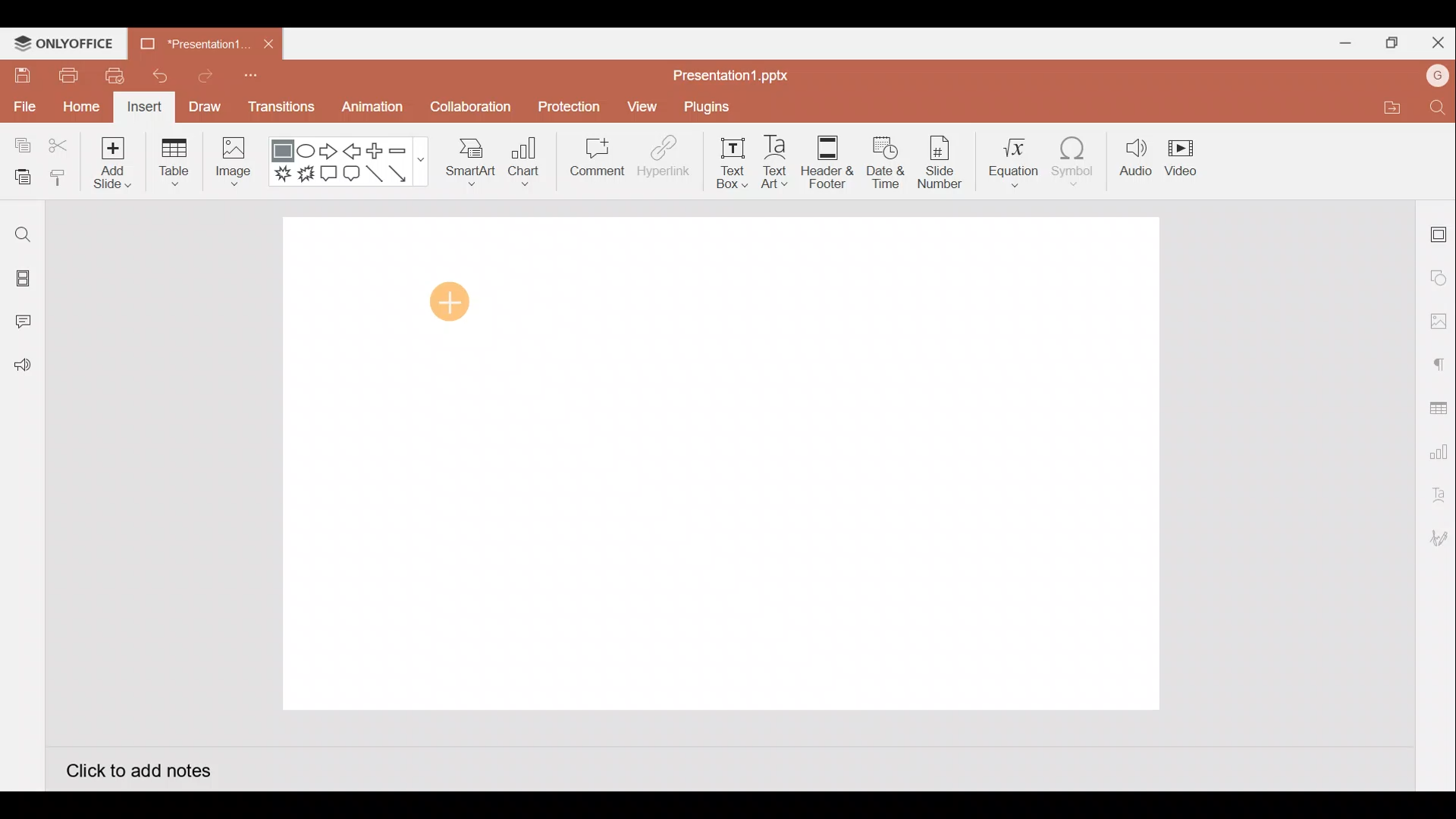 The image size is (1456, 819). I want to click on Redo, so click(196, 78).